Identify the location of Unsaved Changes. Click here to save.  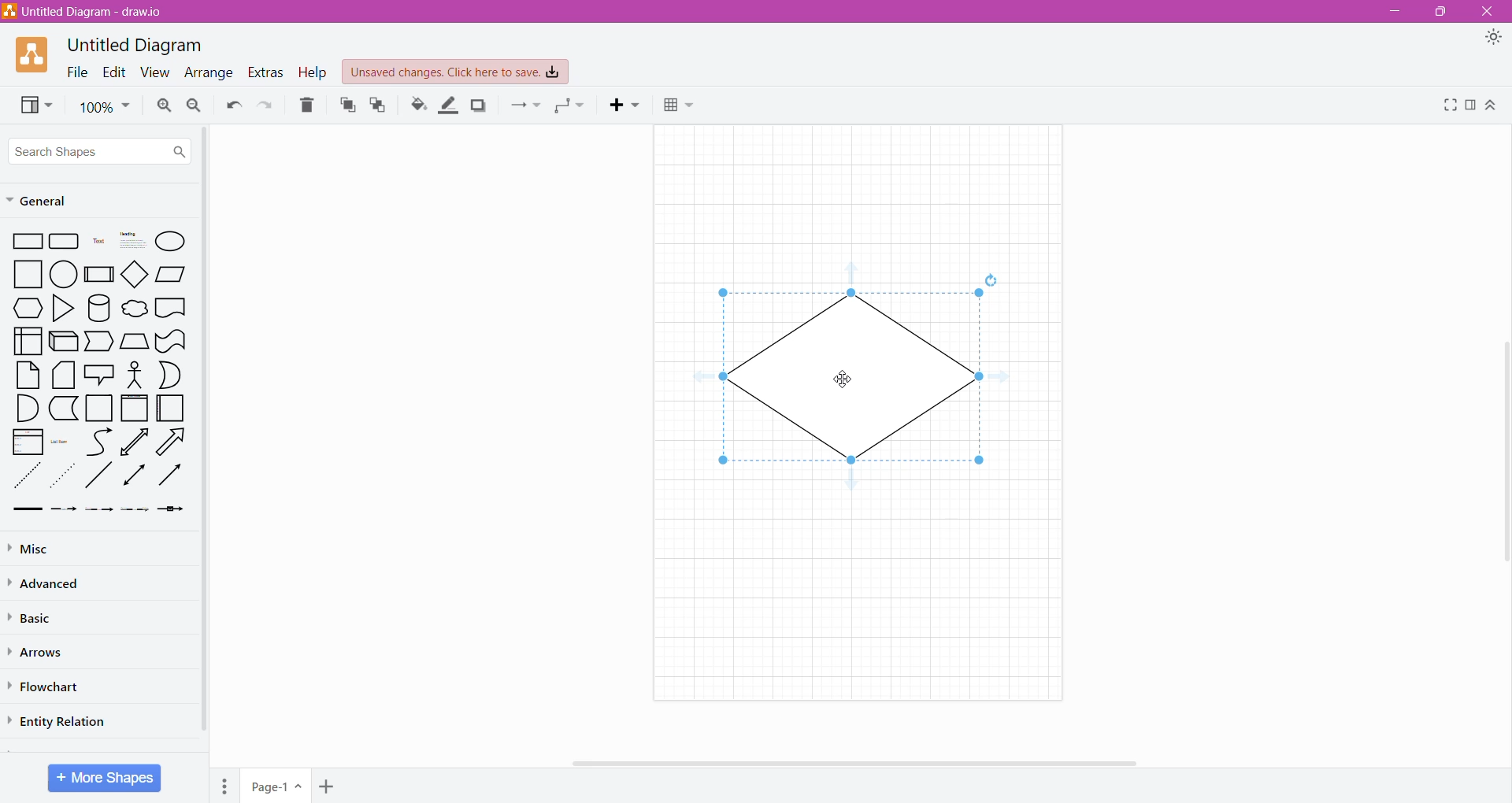
(455, 72).